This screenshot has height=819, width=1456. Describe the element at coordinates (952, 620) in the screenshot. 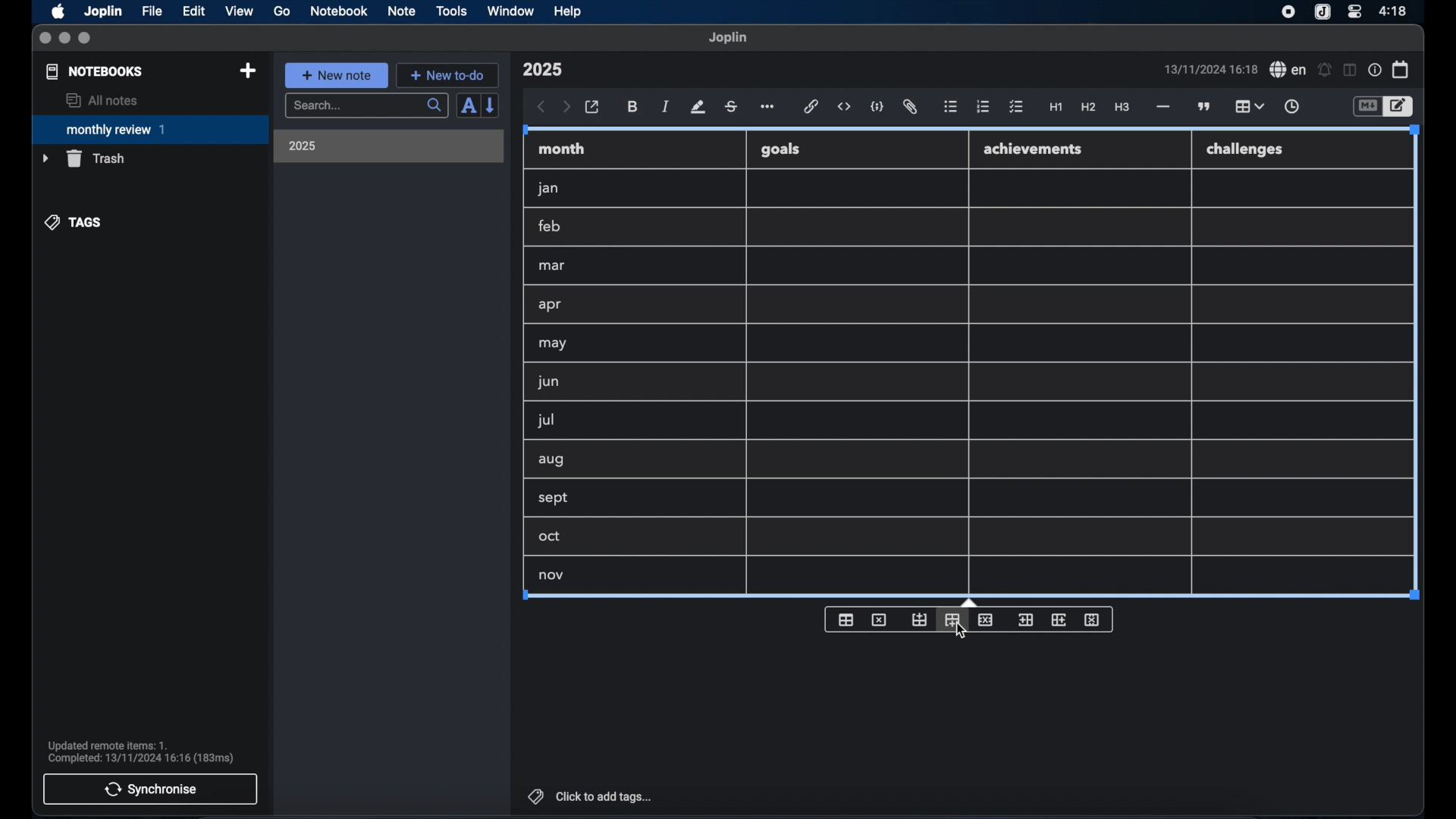

I see `insert column after` at that location.